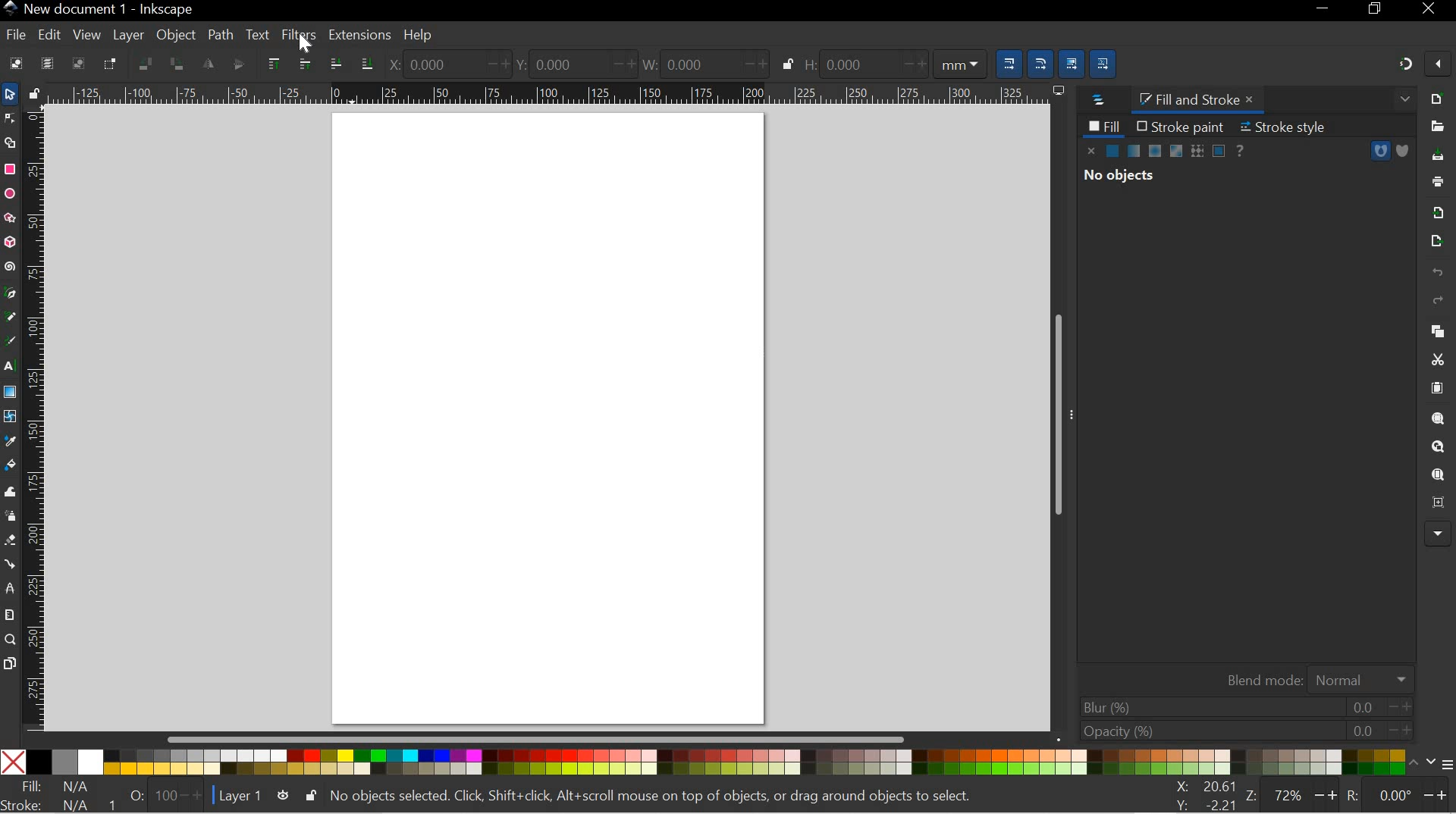  What do you see at coordinates (546, 94) in the screenshot?
I see `RULER` at bounding box center [546, 94].